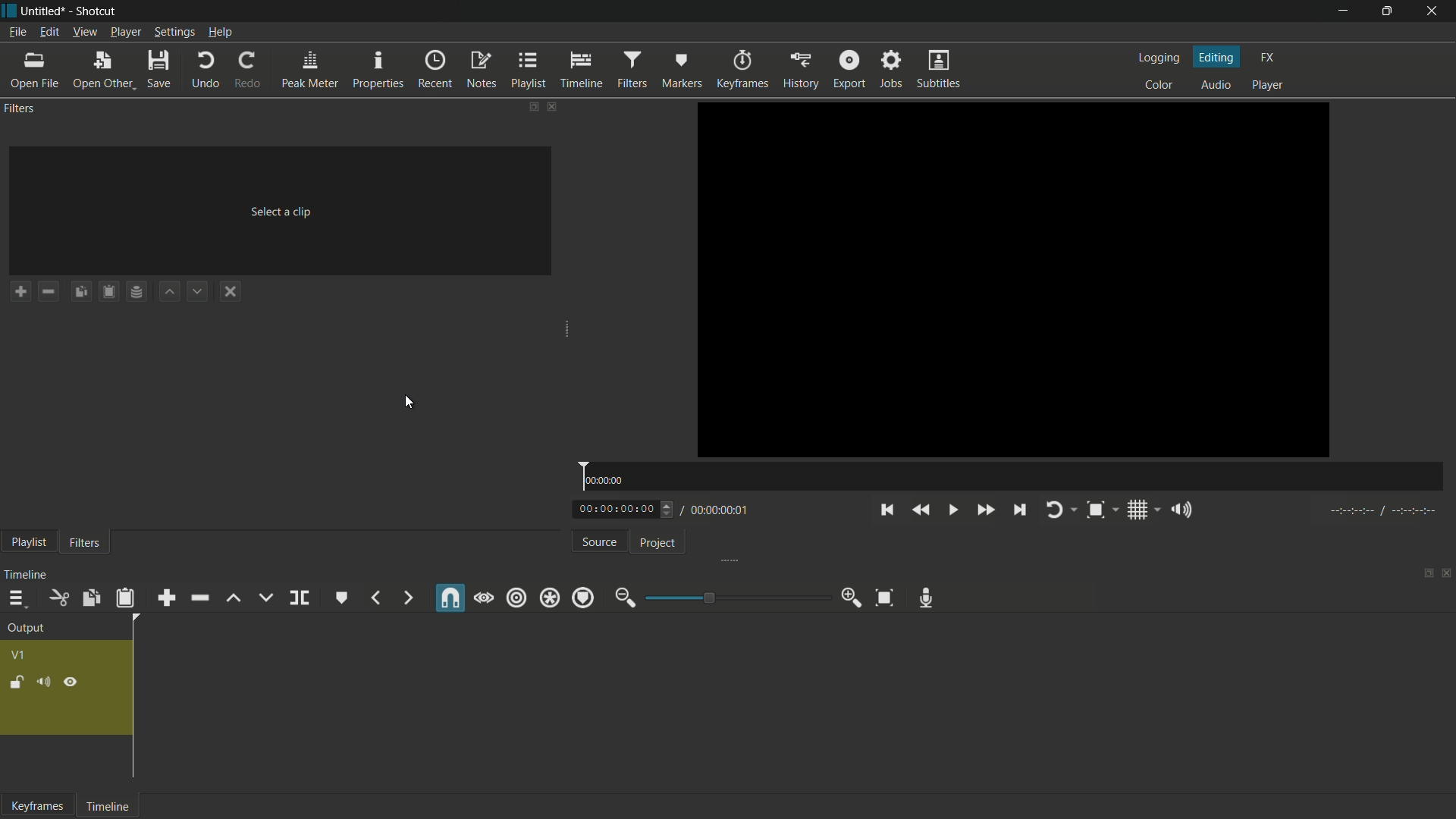 The image size is (1456, 819). What do you see at coordinates (410, 403) in the screenshot?
I see `cursor` at bounding box center [410, 403].